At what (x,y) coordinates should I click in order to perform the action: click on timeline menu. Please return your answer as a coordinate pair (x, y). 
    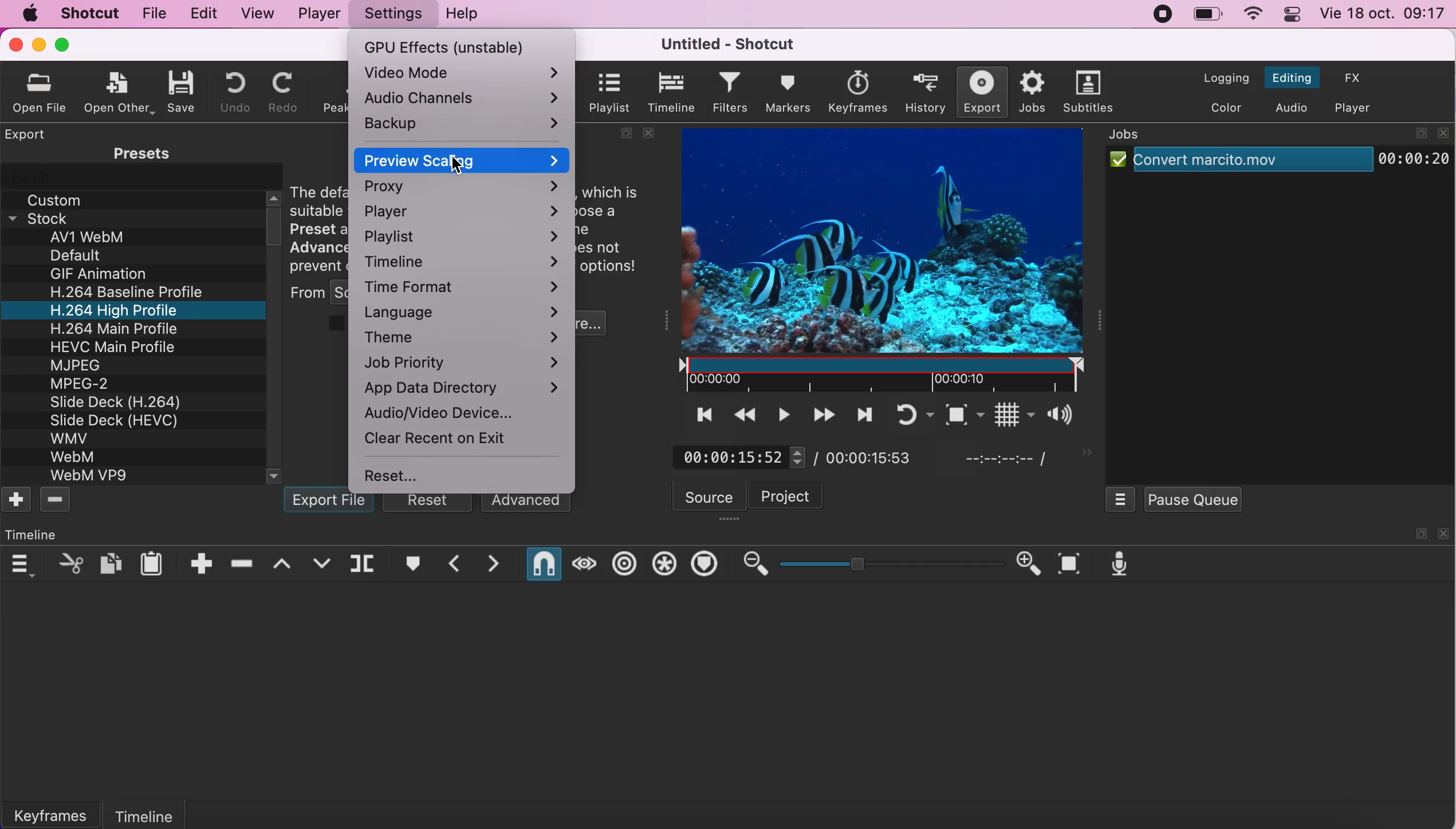
    Looking at the image, I should click on (20, 564).